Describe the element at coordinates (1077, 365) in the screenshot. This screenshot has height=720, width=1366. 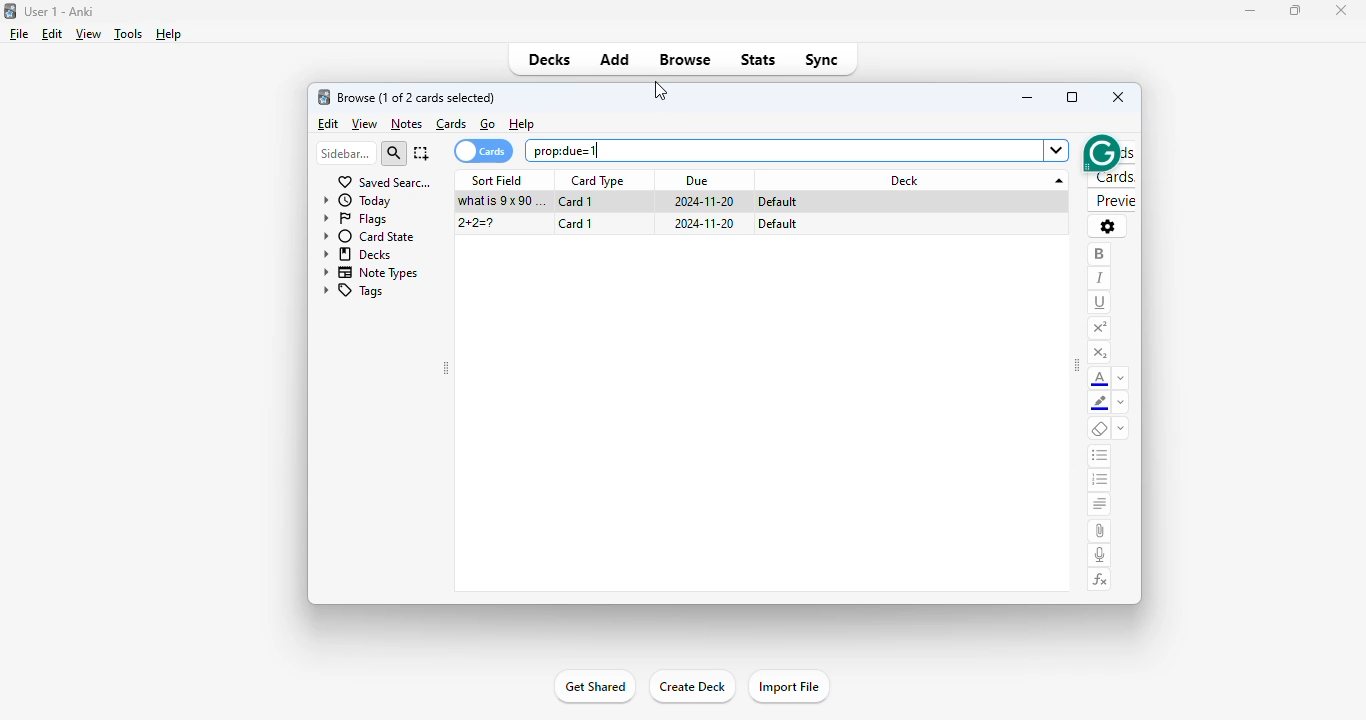
I see `toggle sidebar` at that location.